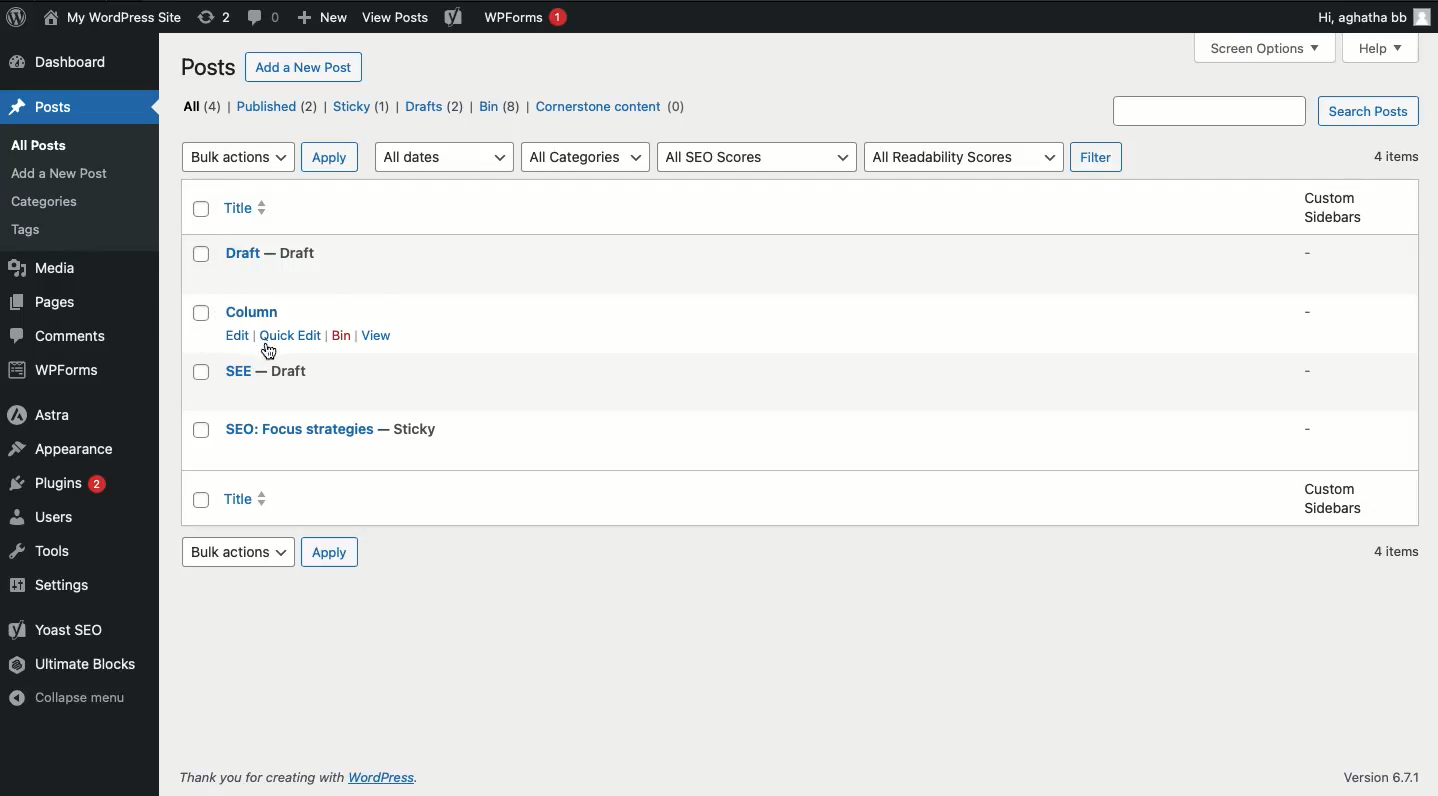 The image size is (1438, 796). What do you see at coordinates (206, 70) in the screenshot?
I see `Posts` at bounding box center [206, 70].